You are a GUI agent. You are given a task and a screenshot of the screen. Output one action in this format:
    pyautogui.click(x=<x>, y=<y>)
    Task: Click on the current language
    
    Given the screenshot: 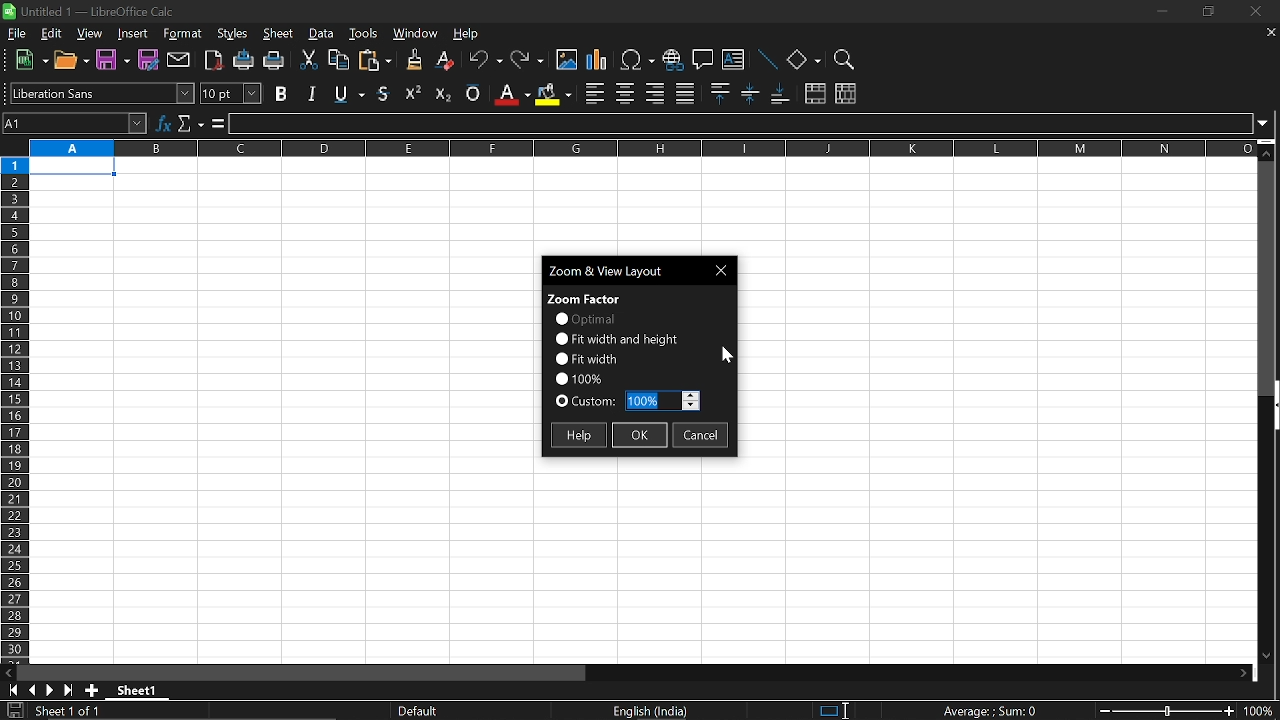 What is the action you would take?
    pyautogui.click(x=652, y=711)
    